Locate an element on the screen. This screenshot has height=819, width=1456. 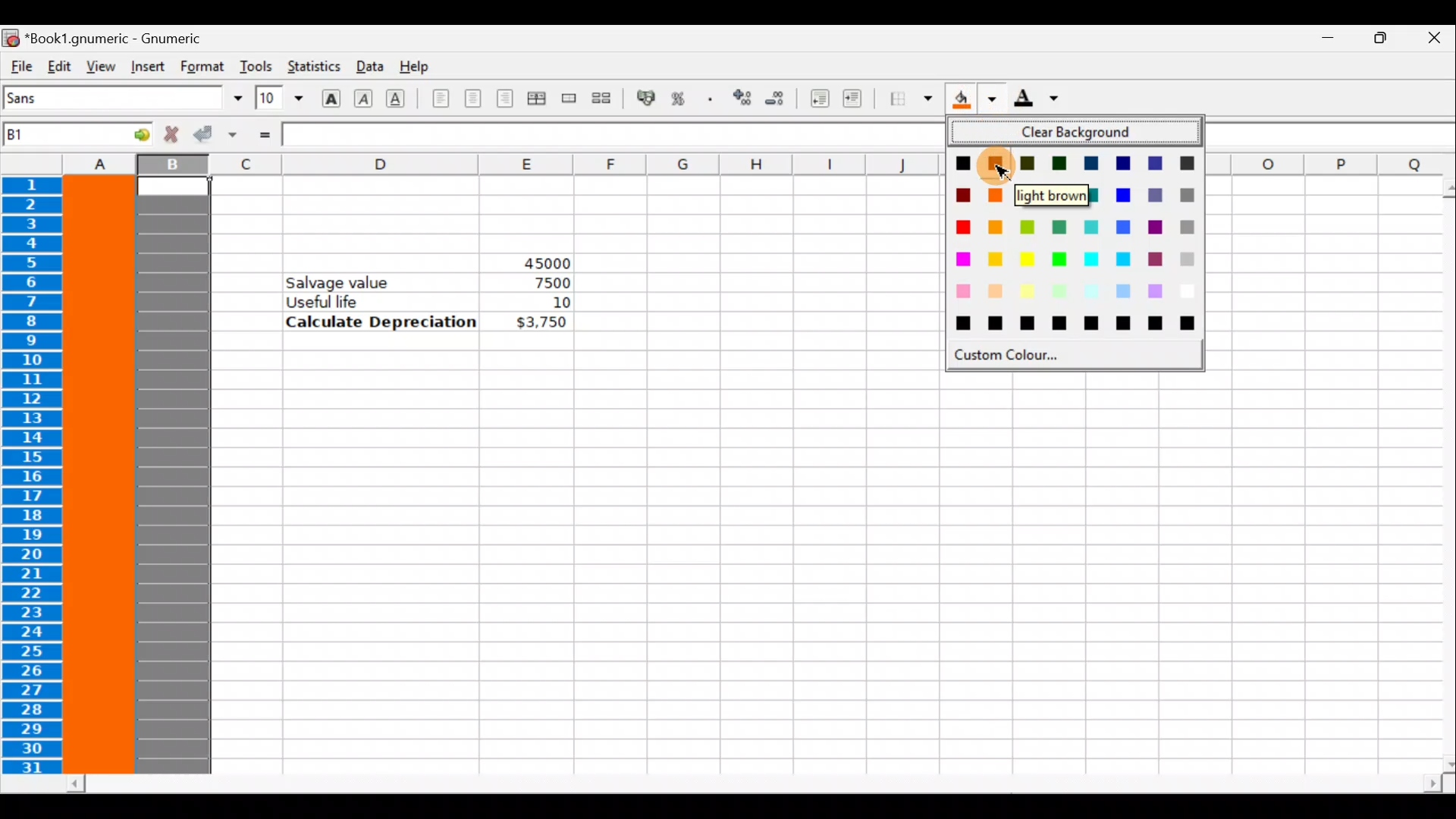
Increase indent, align contents to the left is located at coordinates (859, 100).